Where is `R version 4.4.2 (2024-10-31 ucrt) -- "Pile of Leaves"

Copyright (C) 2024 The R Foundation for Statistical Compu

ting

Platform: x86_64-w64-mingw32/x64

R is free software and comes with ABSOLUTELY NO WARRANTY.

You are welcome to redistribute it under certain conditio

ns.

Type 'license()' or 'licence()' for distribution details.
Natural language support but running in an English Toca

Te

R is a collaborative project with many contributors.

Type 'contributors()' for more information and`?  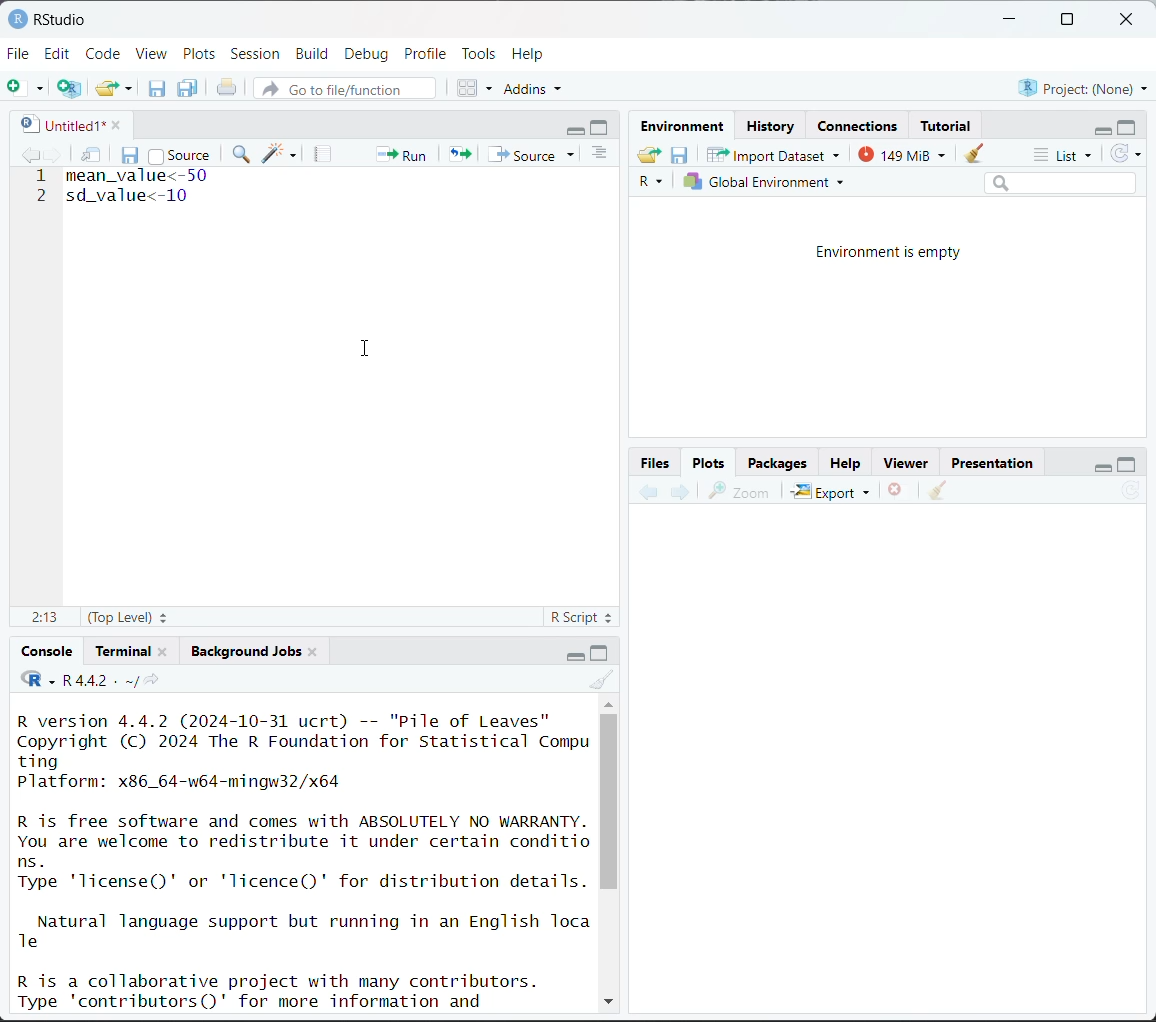 R version 4.4.2 (2024-10-31 ucrt) -- "Pile of Leaves"

Copyright (C) 2024 The R Foundation for Statistical Compu

ting

Platform: x86_64-w64-mingw32/x64

R is free software and comes with ABSOLUTELY NO WARRANTY.

You are welcome to redistribute it under certain conditio

ns.

Type 'license()' or 'licence()' for distribution details.
Natural language support but running in an English Toca

Te

R is a collaborative project with many contributors.

Type 'contributors()' for more information and is located at coordinates (305, 859).